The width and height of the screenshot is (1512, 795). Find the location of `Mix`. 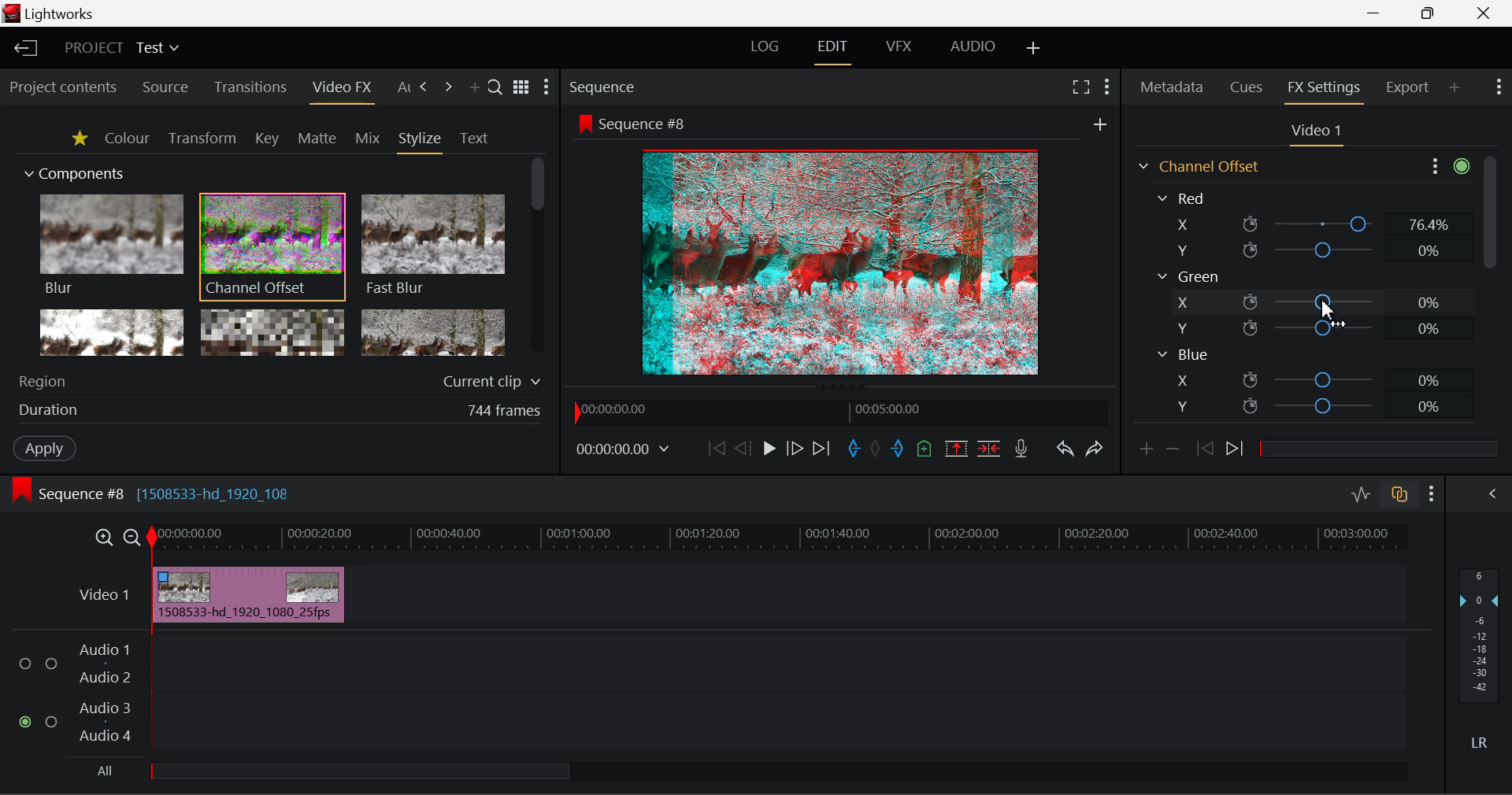

Mix is located at coordinates (369, 139).